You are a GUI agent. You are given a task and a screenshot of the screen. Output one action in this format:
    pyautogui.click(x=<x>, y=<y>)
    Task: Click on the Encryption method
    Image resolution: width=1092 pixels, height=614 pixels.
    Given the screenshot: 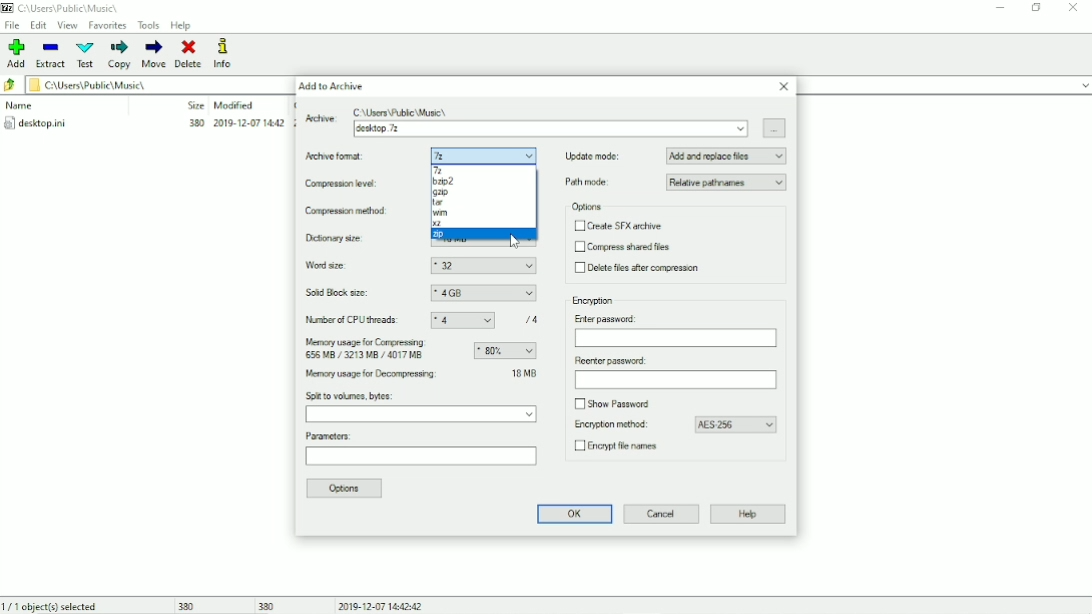 What is the action you would take?
    pyautogui.click(x=677, y=424)
    